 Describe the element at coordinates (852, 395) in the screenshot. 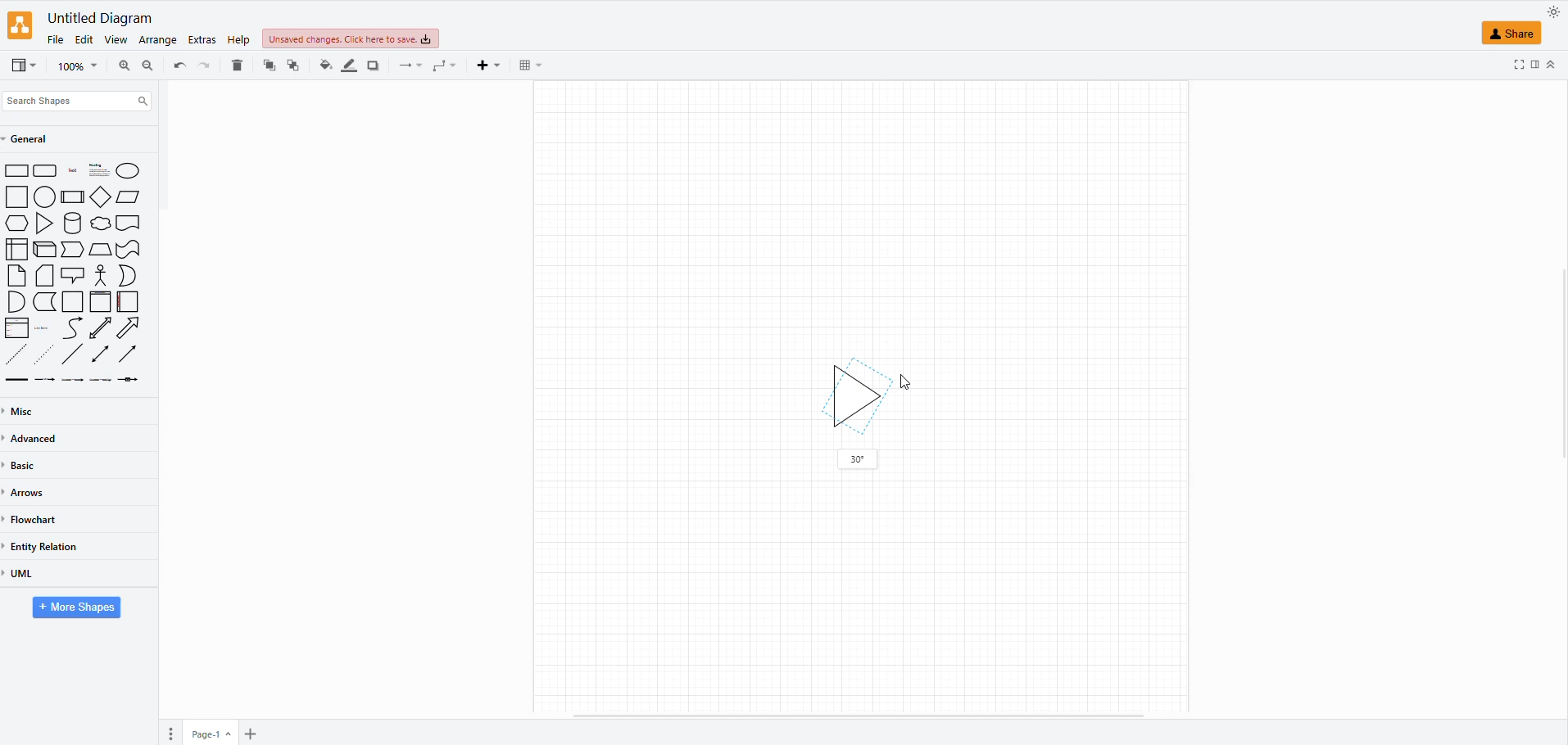

I see `shape tilted` at that location.